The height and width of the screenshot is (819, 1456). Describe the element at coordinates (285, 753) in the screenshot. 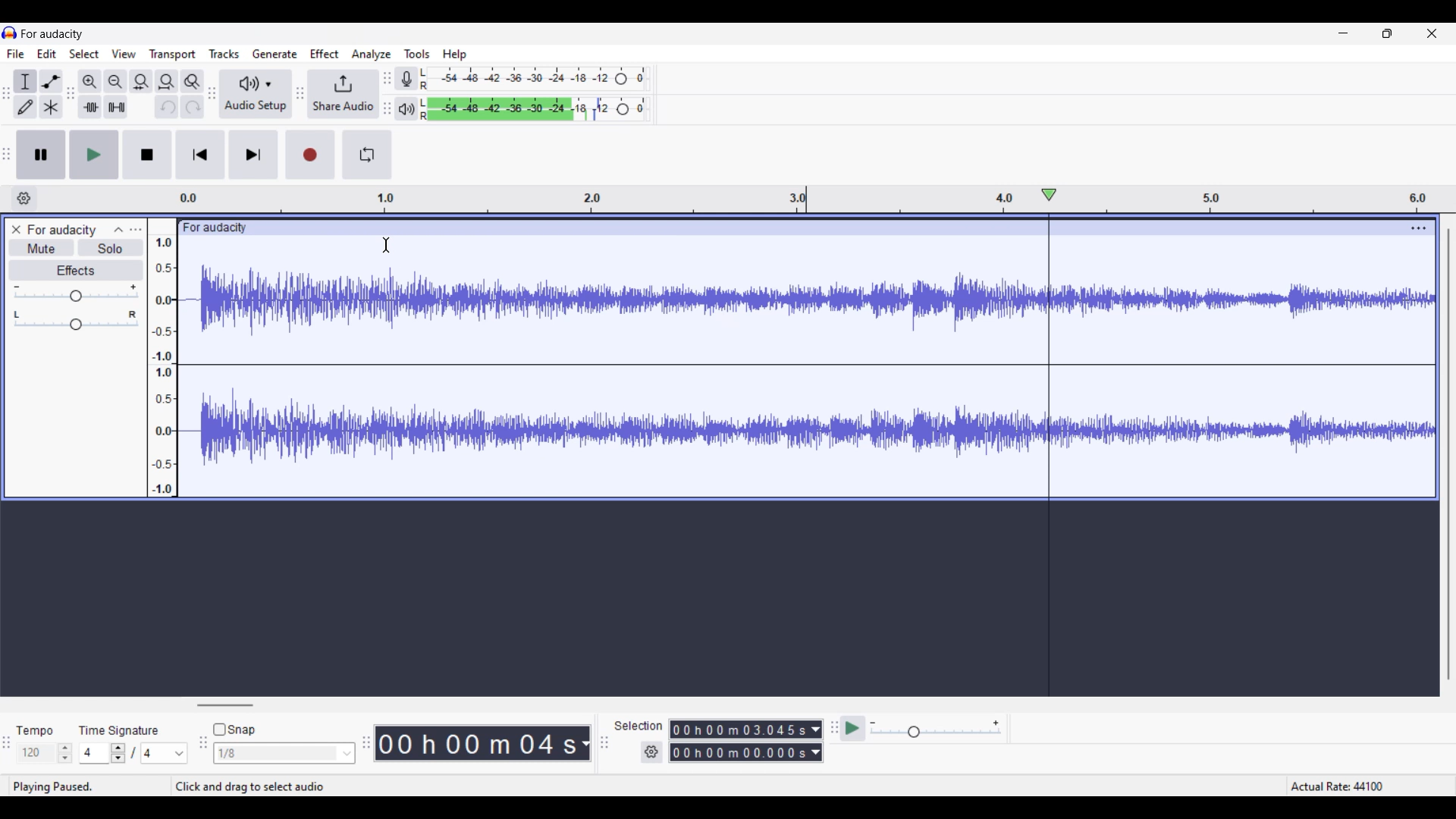

I see `Snap options` at that location.